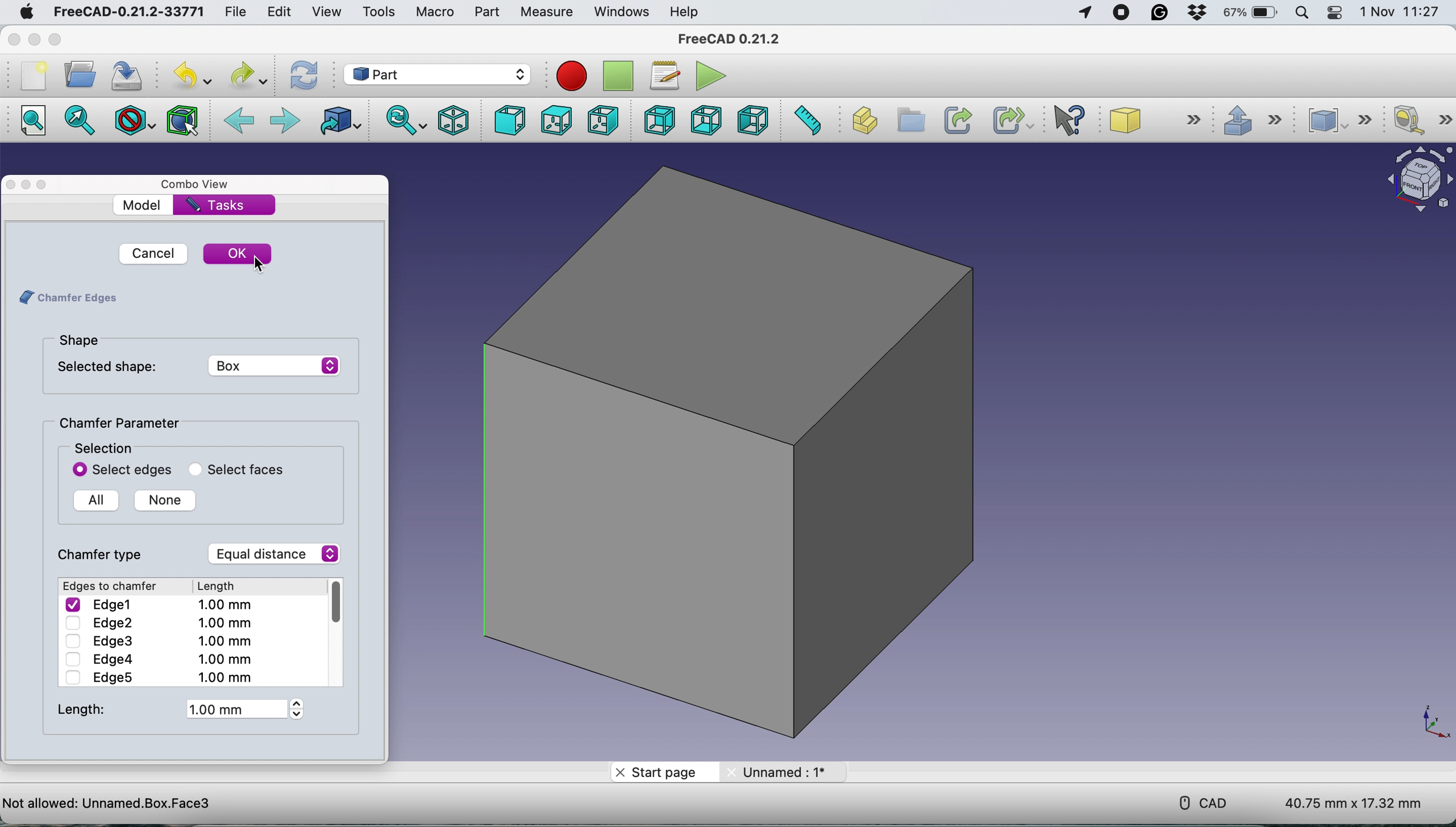 The height and width of the screenshot is (827, 1456). Describe the element at coordinates (142, 206) in the screenshot. I see `model` at that location.